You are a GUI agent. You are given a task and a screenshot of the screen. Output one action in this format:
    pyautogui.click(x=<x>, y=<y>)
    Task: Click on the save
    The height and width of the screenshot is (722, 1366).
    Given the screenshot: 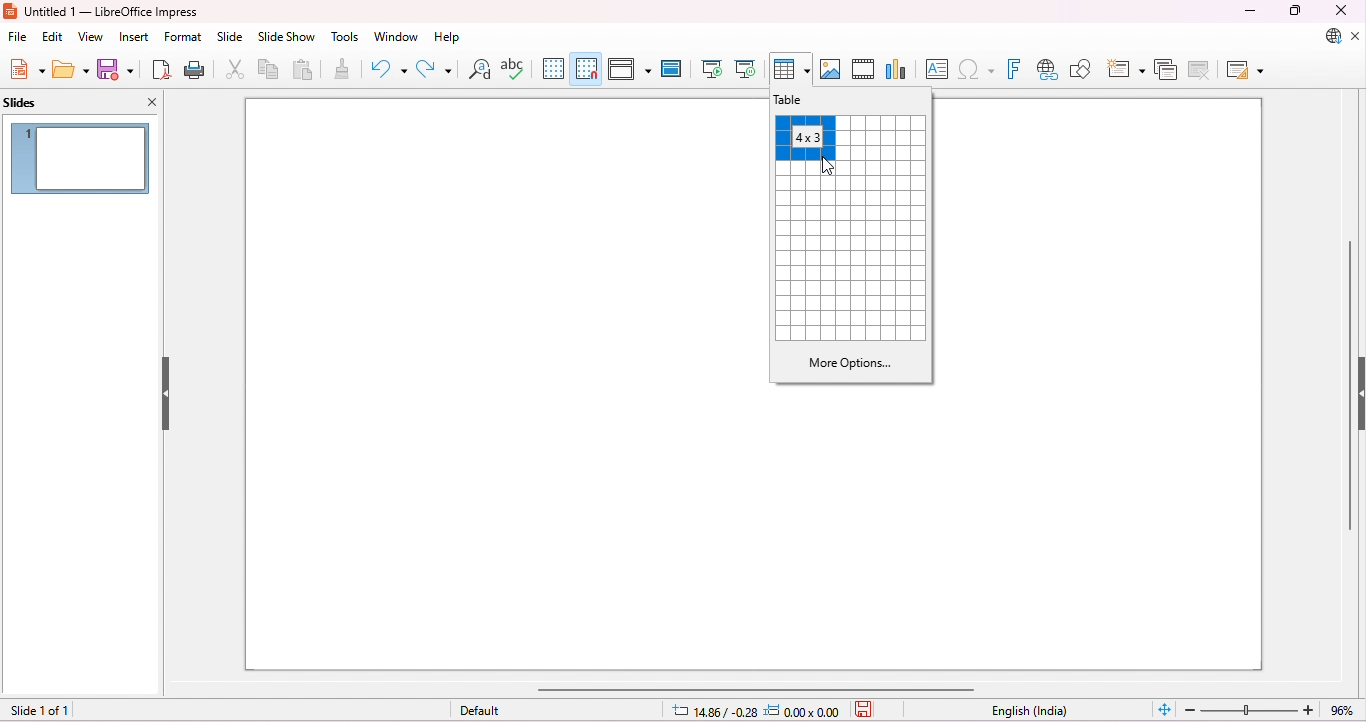 What is the action you would take?
    pyautogui.click(x=116, y=69)
    